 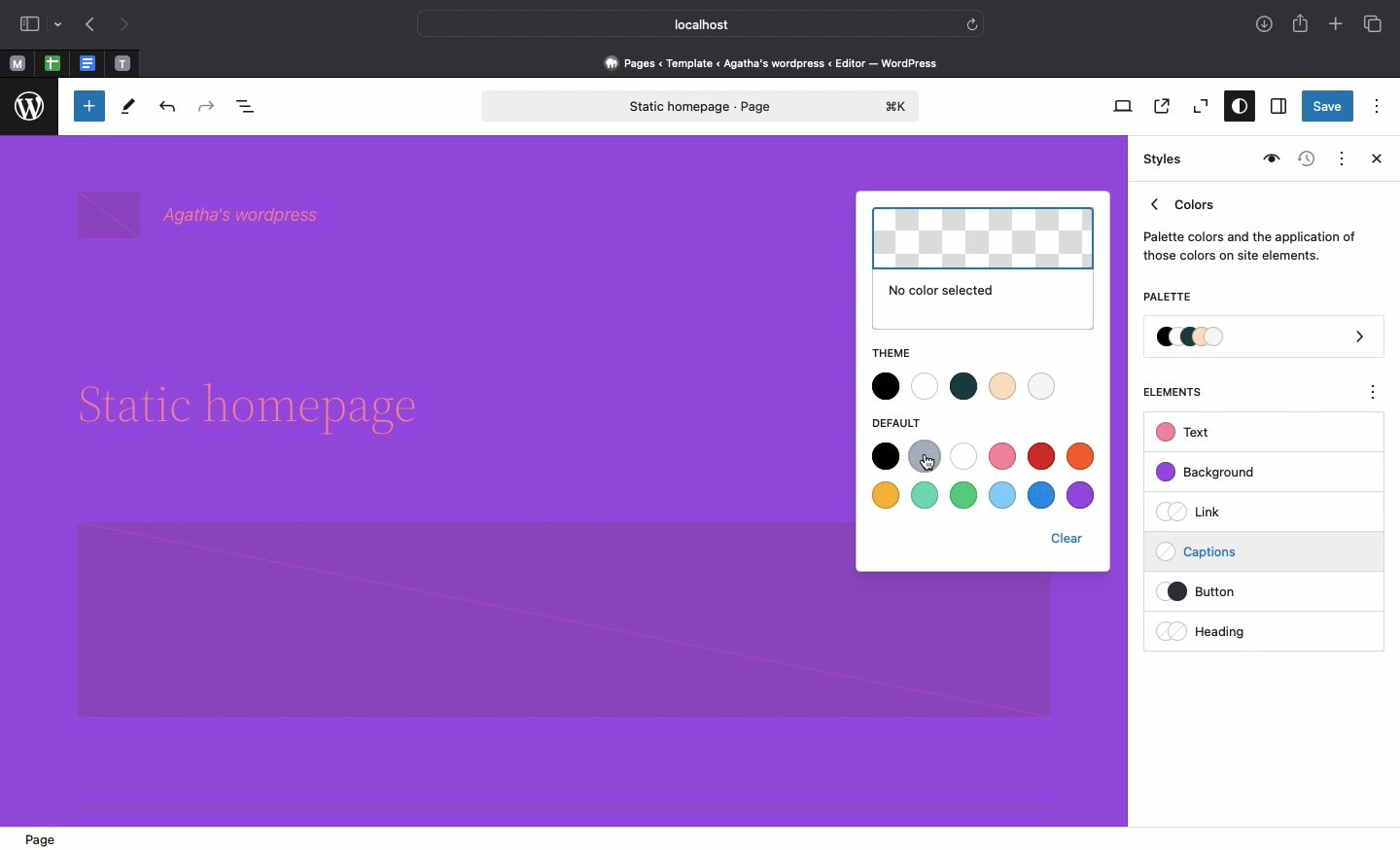 What do you see at coordinates (209, 107) in the screenshot?
I see `Redo` at bounding box center [209, 107].